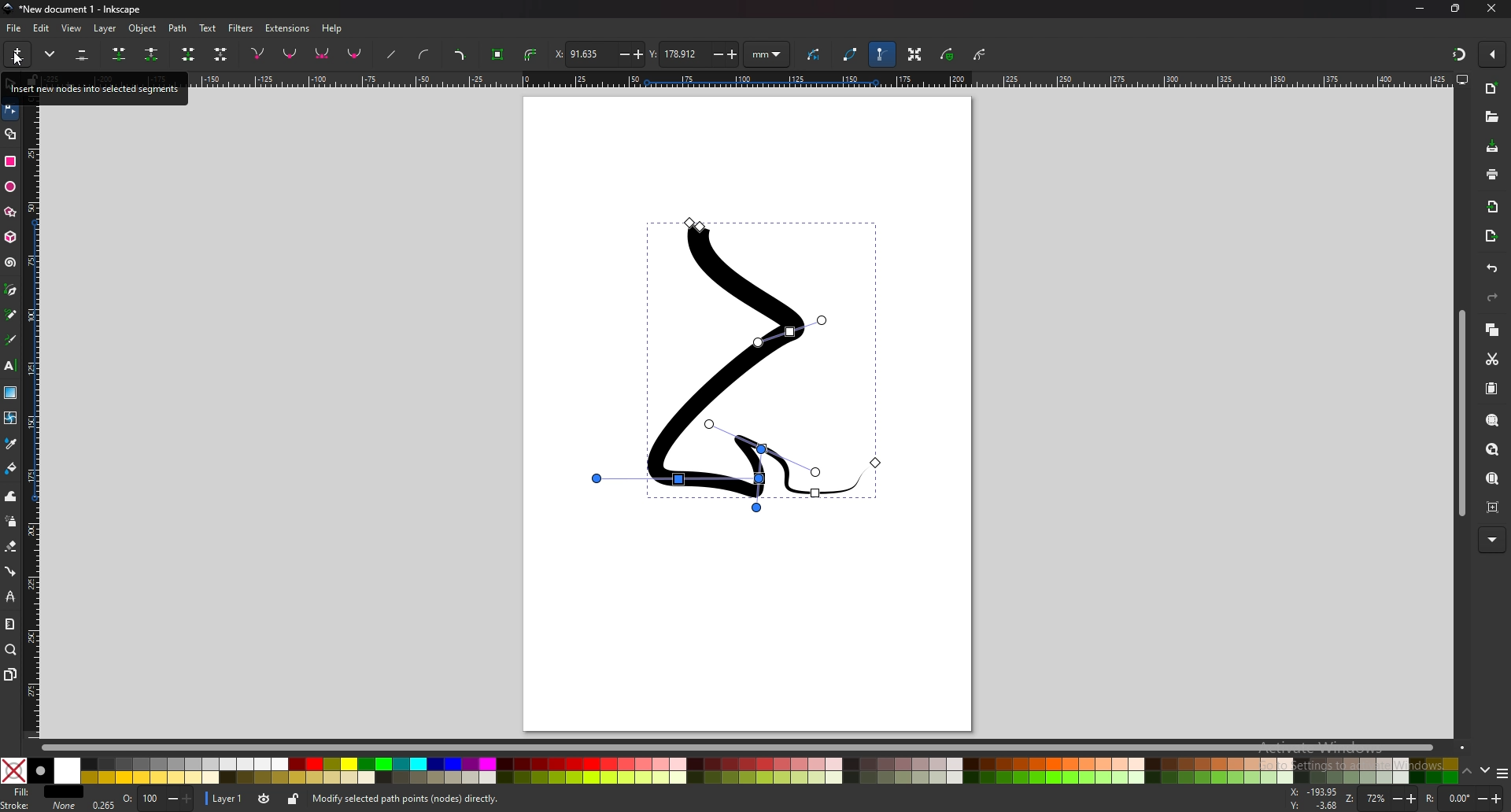 The height and width of the screenshot is (812, 1511). Describe the element at coordinates (11, 366) in the screenshot. I see `text` at that location.